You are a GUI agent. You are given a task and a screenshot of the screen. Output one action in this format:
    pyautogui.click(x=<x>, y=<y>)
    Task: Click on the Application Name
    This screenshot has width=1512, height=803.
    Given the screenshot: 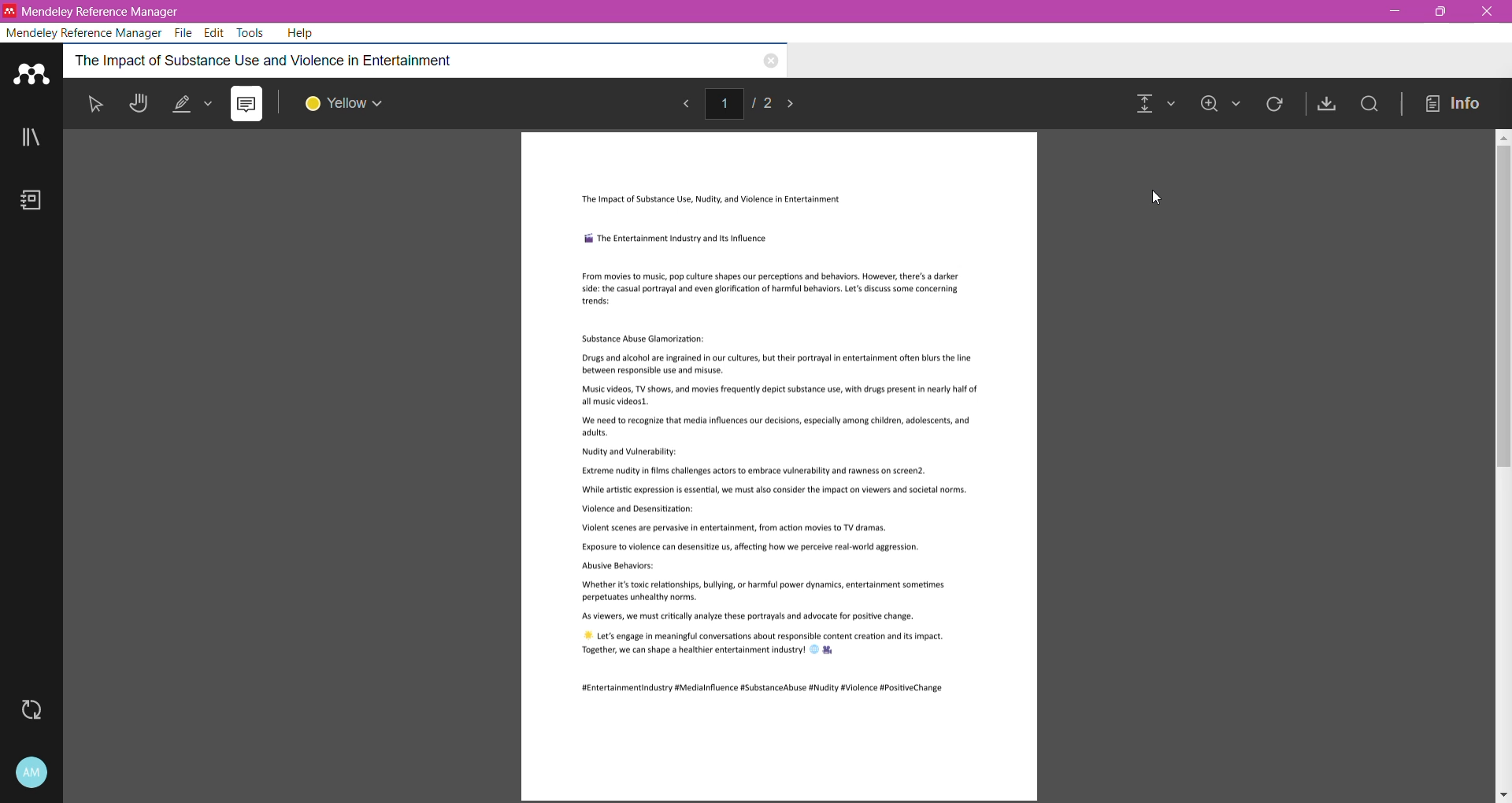 What is the action you would take?
    pyautogui.click(x=99, y=10)
    